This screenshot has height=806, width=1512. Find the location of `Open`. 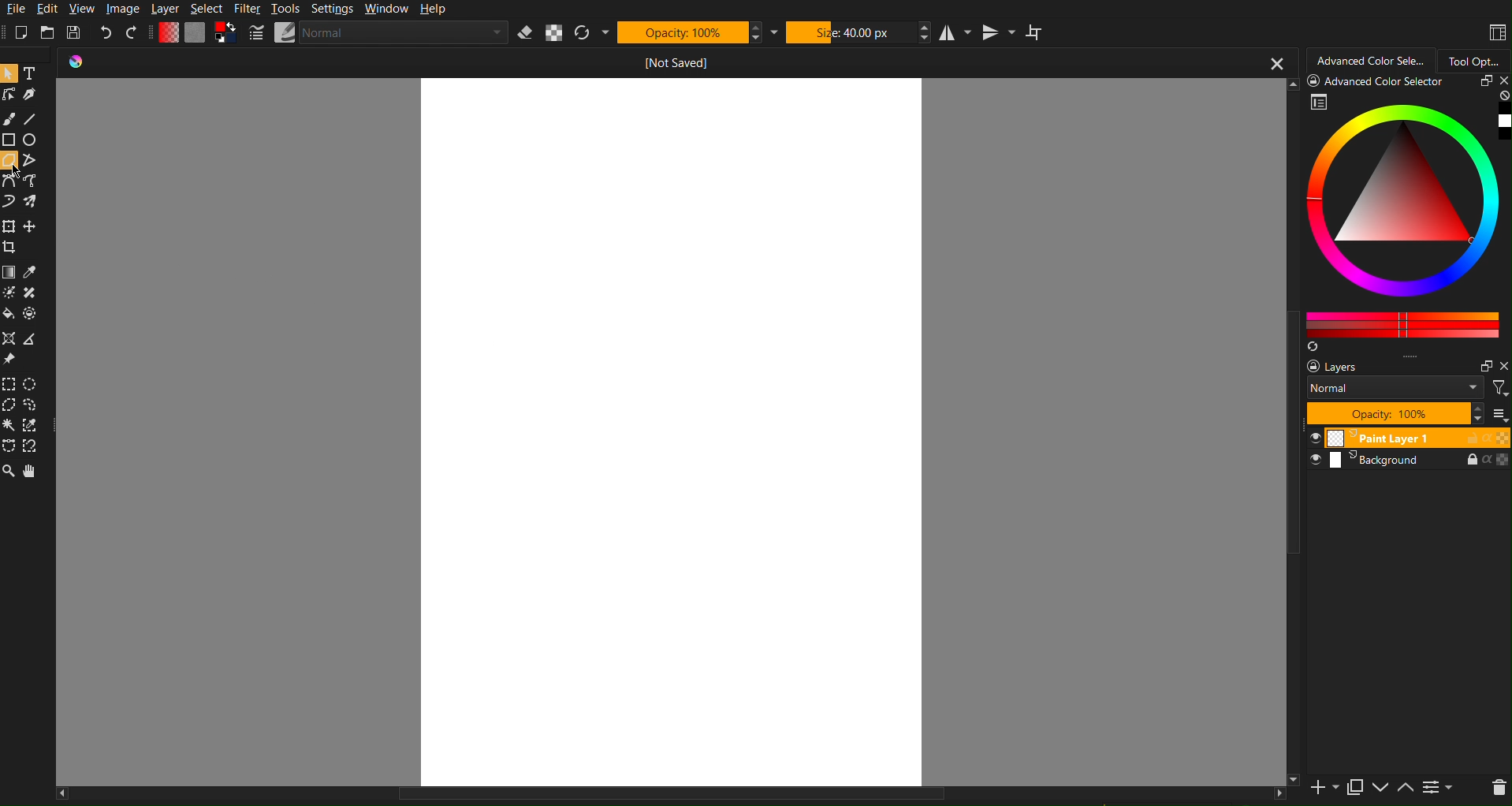

Open is located at coordinates (49, 32).